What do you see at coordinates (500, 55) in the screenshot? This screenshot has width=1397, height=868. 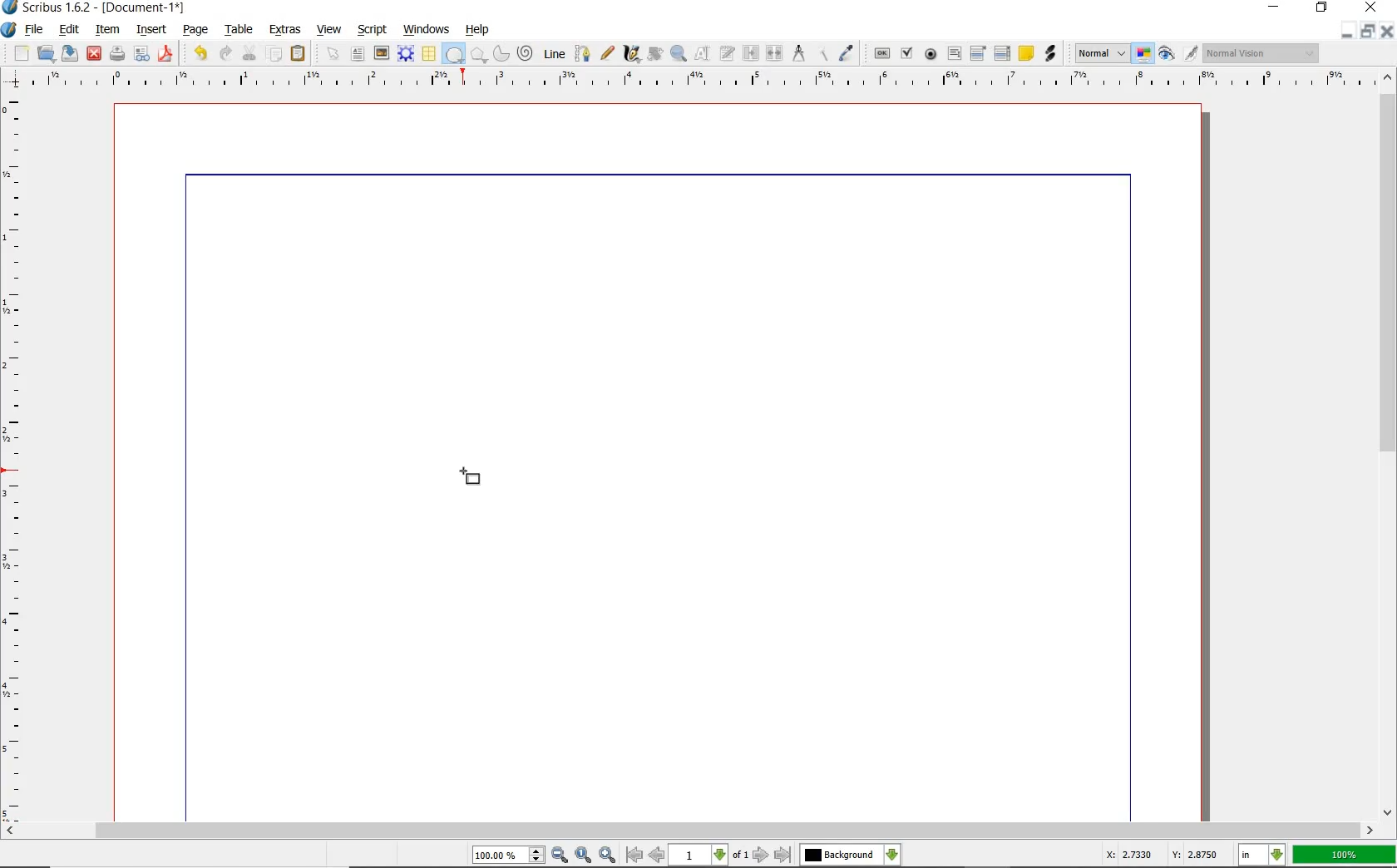 I see `ARC` at bounding box center [500, 55].